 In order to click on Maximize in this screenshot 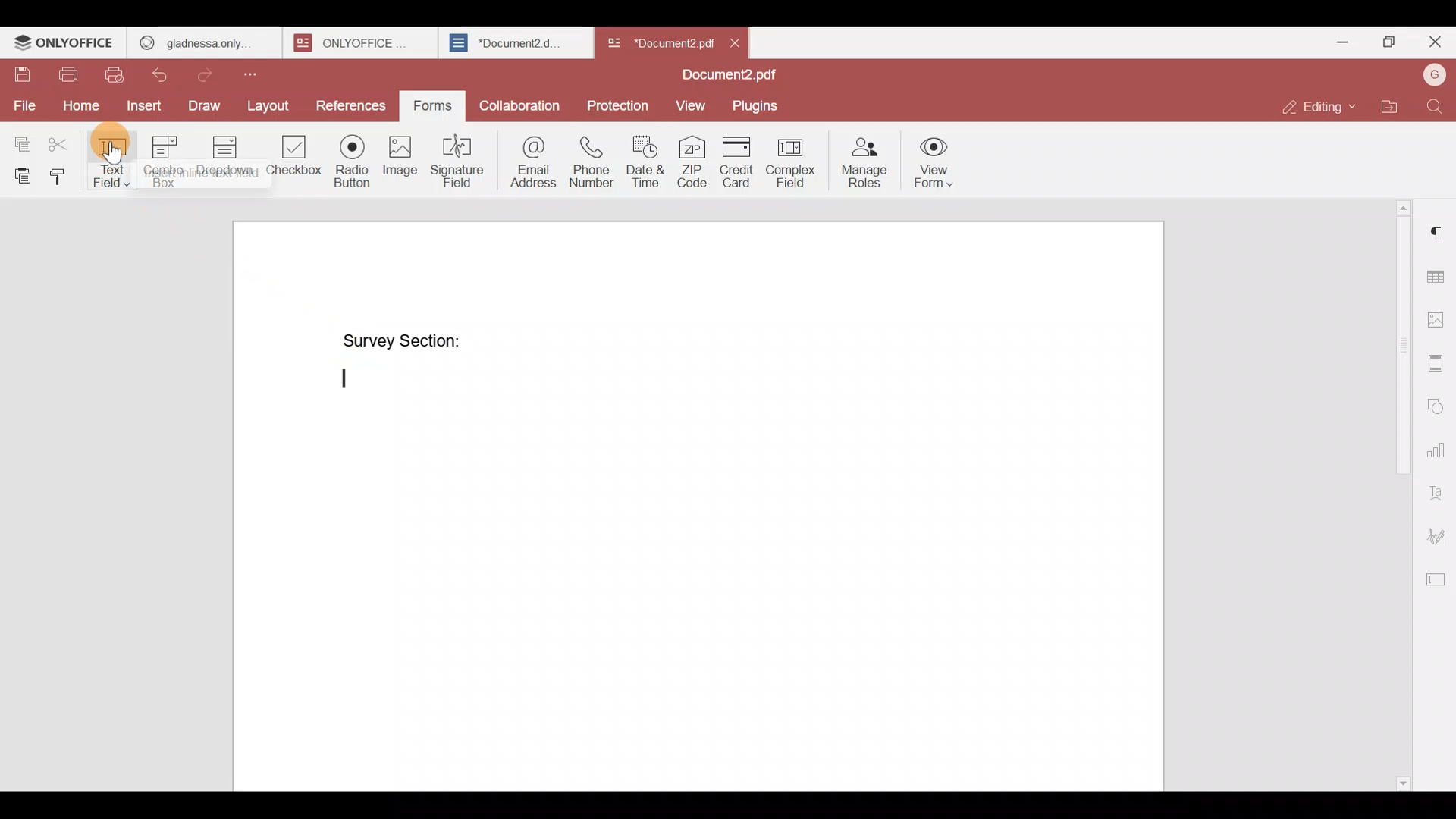, I will do `click(1392, 42)`.